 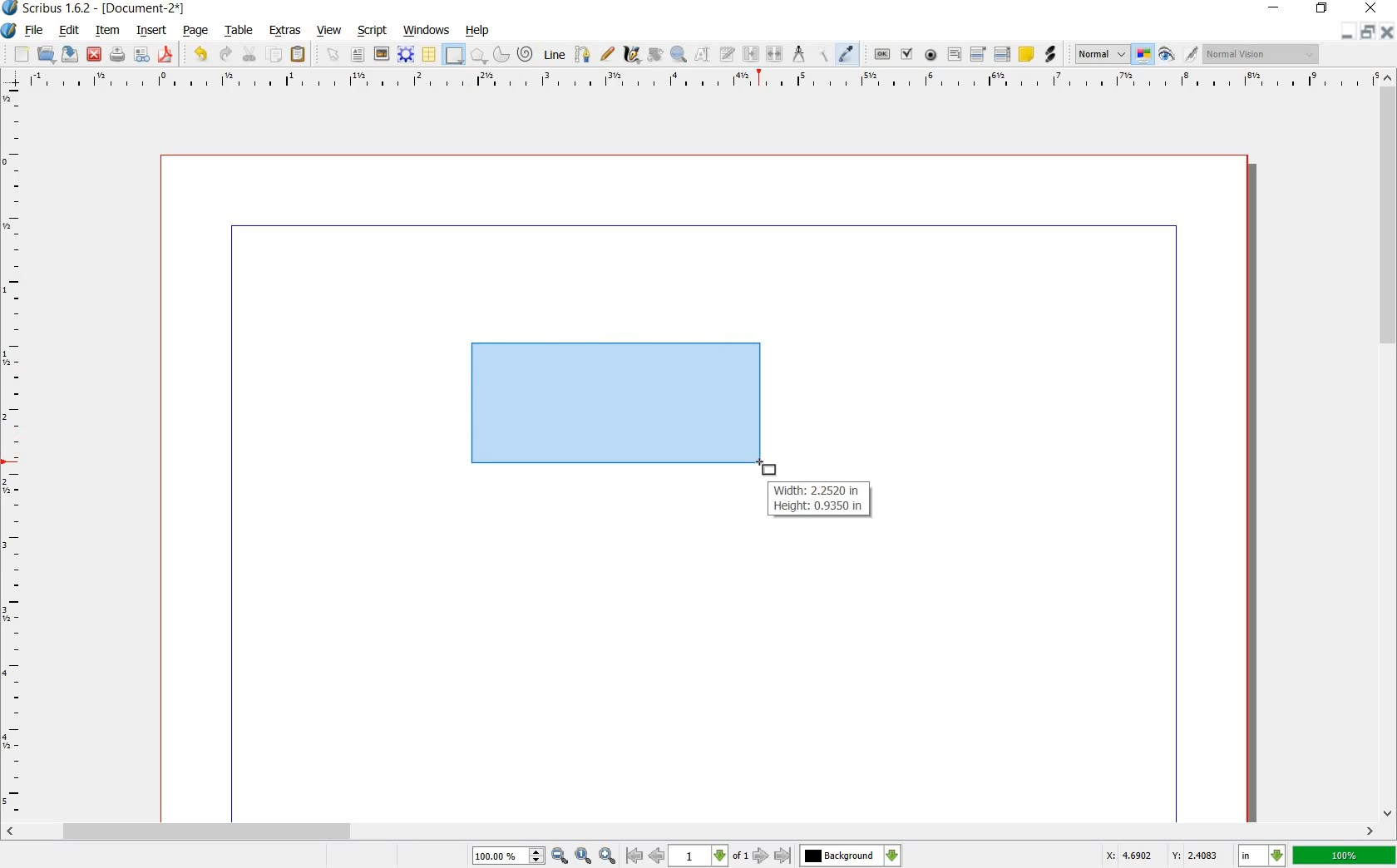 I want to click on SCROLLBAR, so click(x=1389, y=446).